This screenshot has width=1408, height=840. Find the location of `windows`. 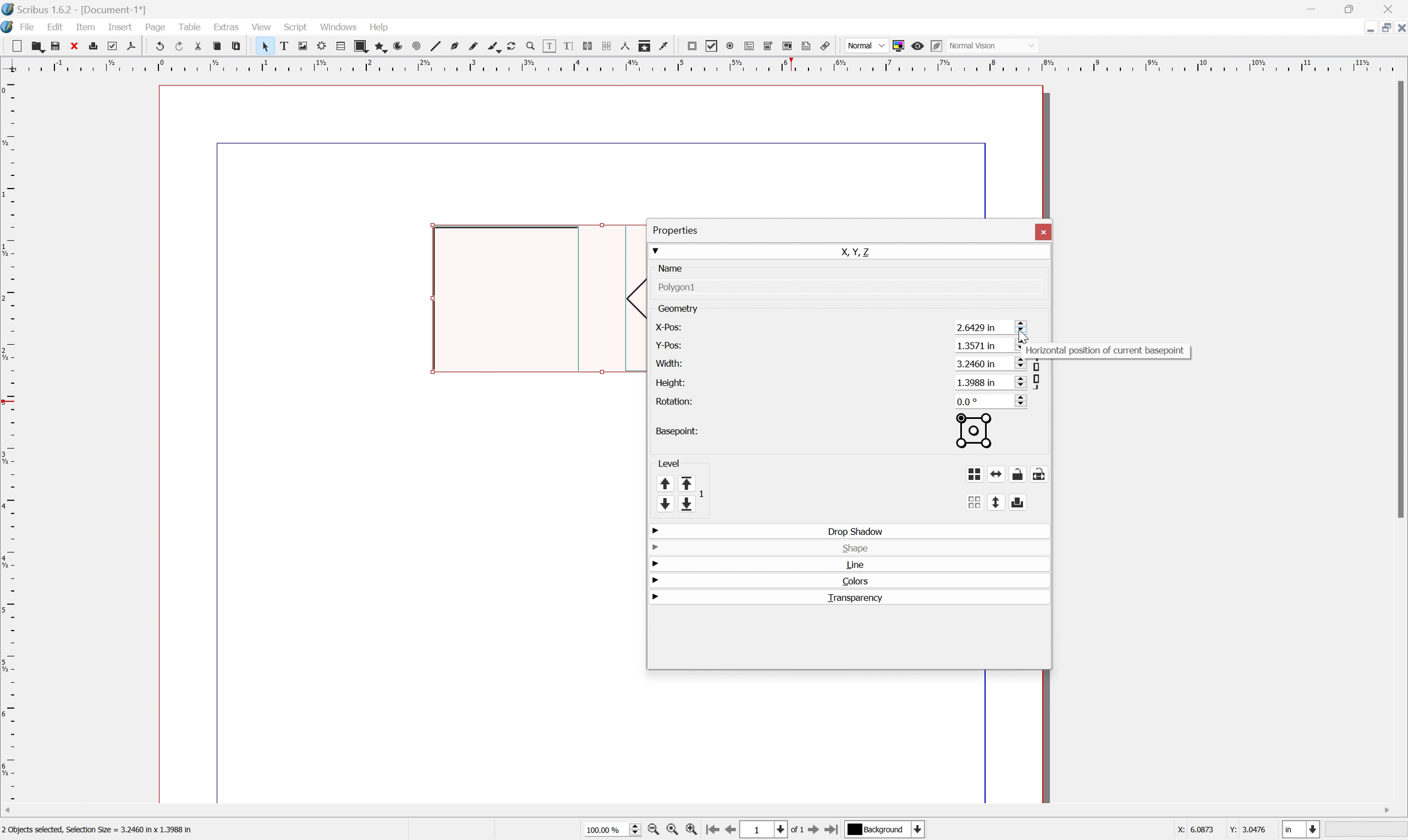

windows is located at coordinates (341, 27).